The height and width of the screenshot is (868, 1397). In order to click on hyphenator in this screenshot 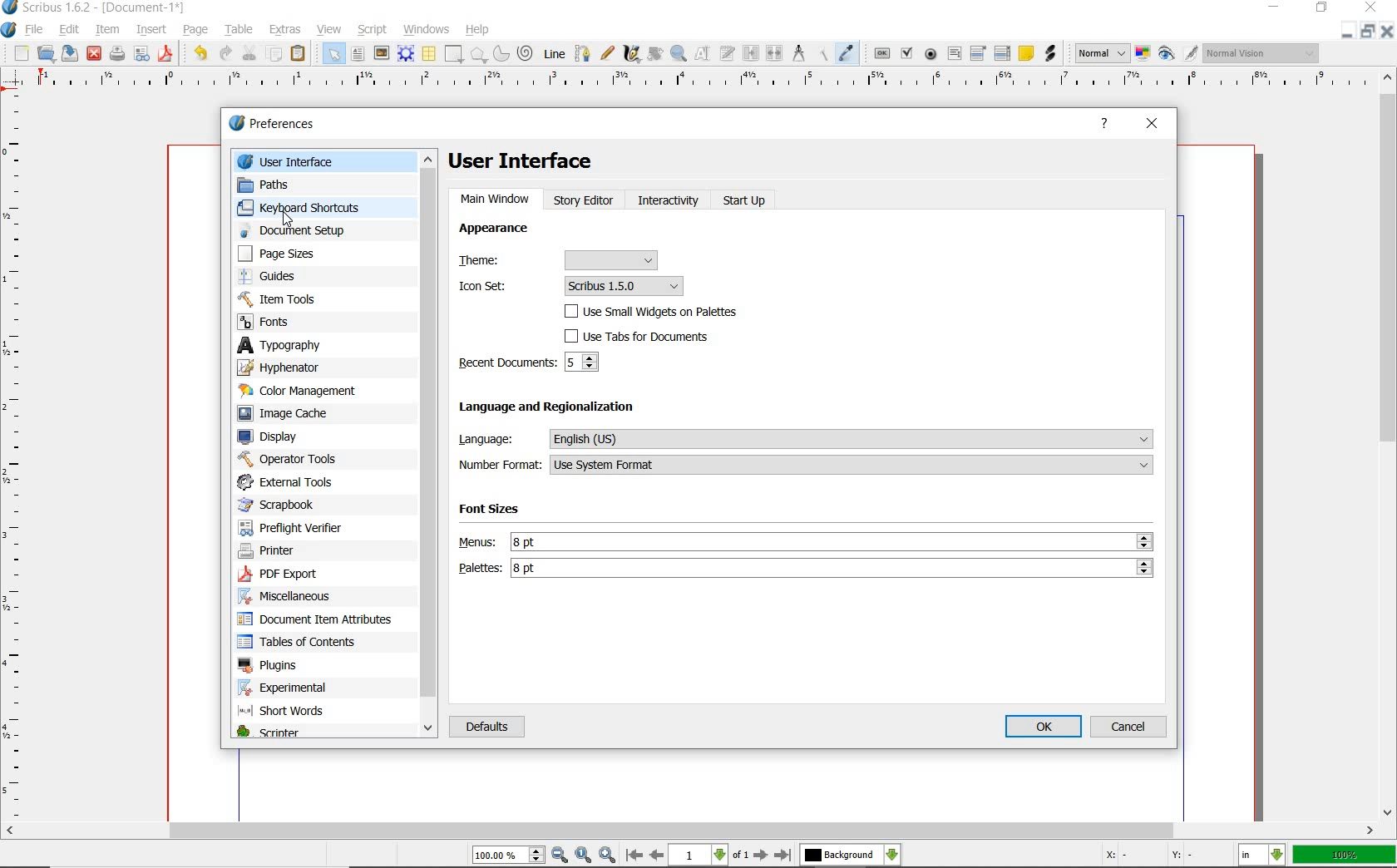, I will do `click(292, 367)`.